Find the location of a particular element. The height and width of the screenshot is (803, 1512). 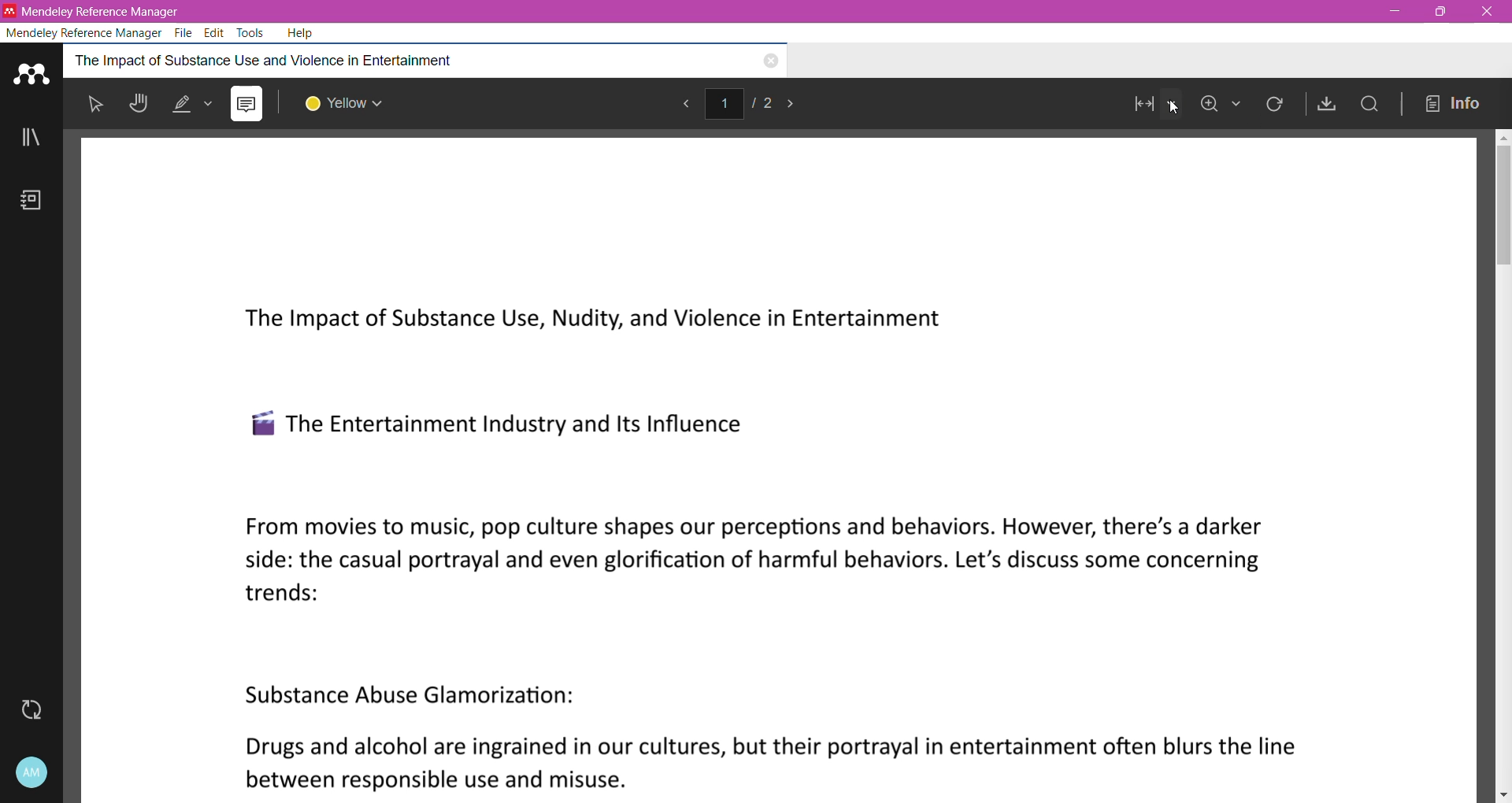

Edit is located at coordinates (215, 31).